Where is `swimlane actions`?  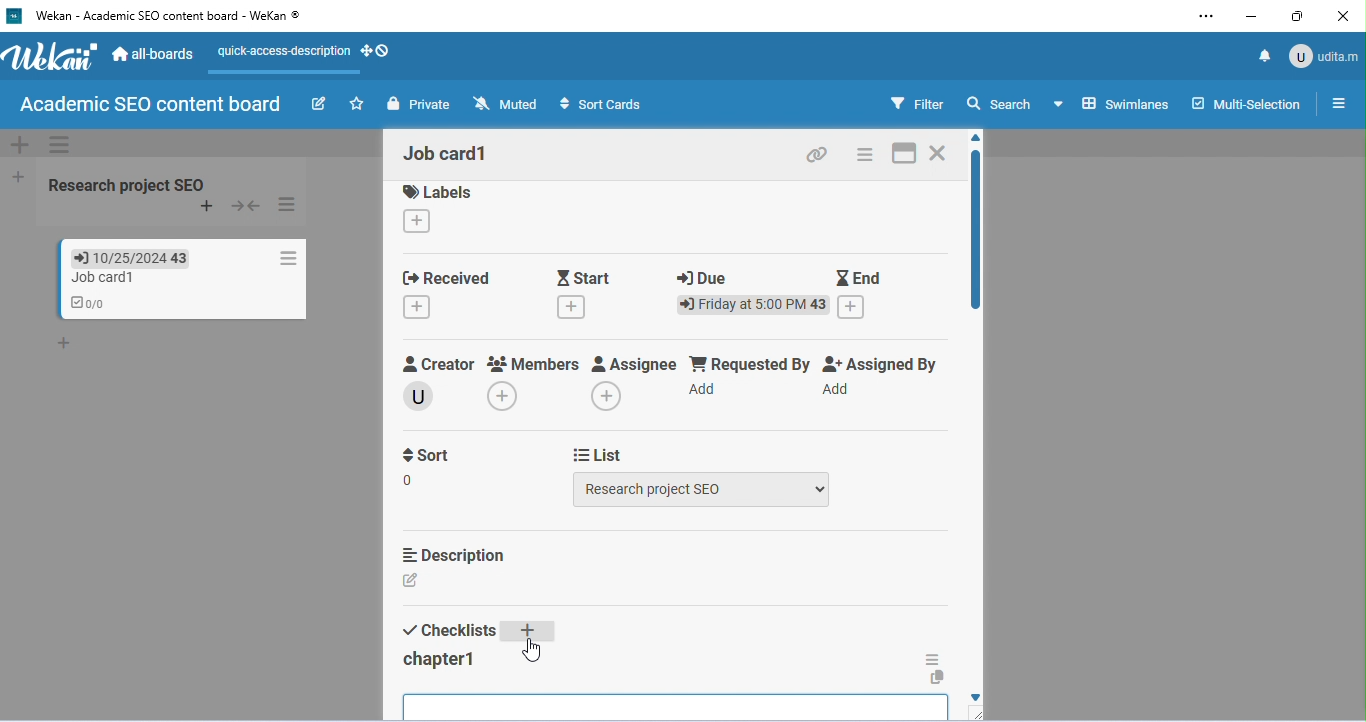
swimlane actions is located at coordinates (61, 144).